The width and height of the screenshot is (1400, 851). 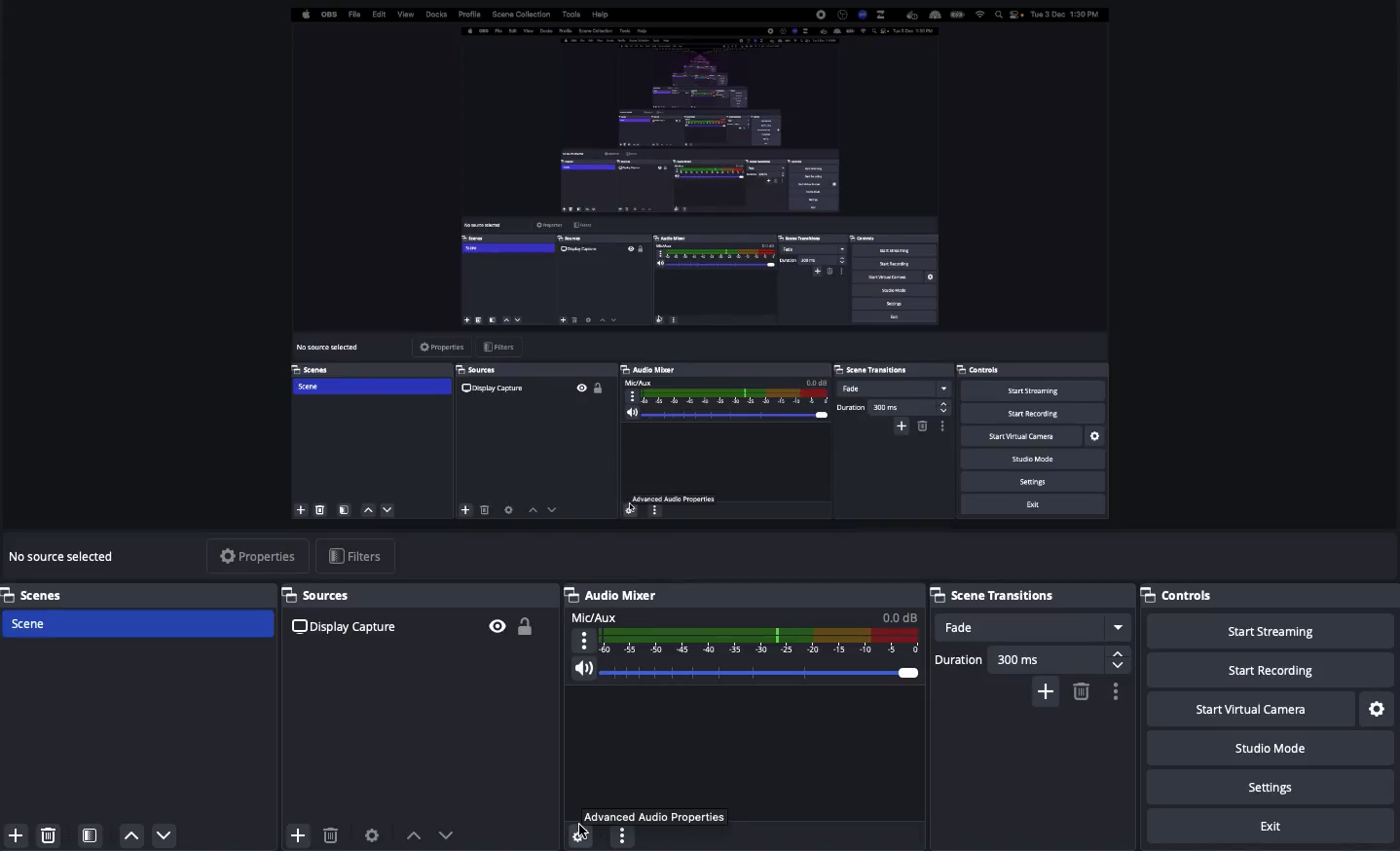 What do you see at coordinates (610, 596) in the screenshot?
I see `Audio mixer` at bounding box center [610, 596].